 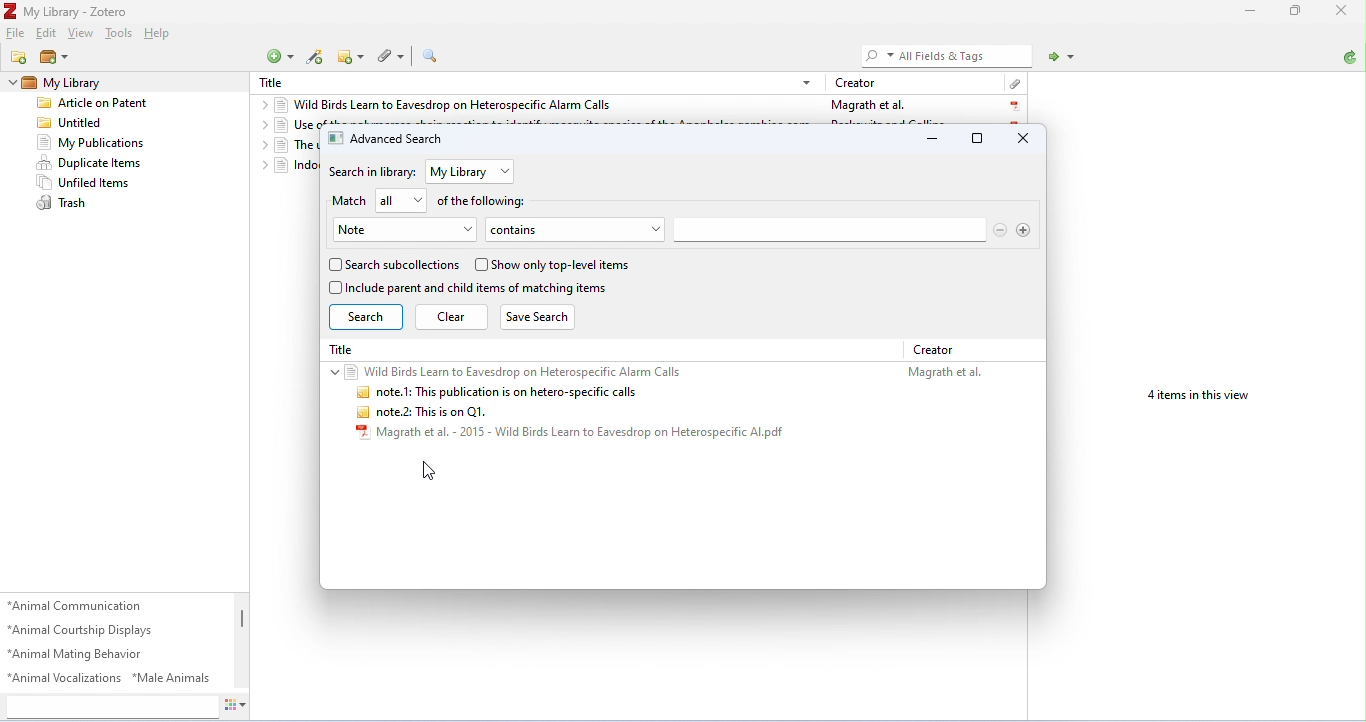 What do you see at coordinates (561, 265) in the screenshot?
I see `show only top-level items` at bounding box center [561, 265].